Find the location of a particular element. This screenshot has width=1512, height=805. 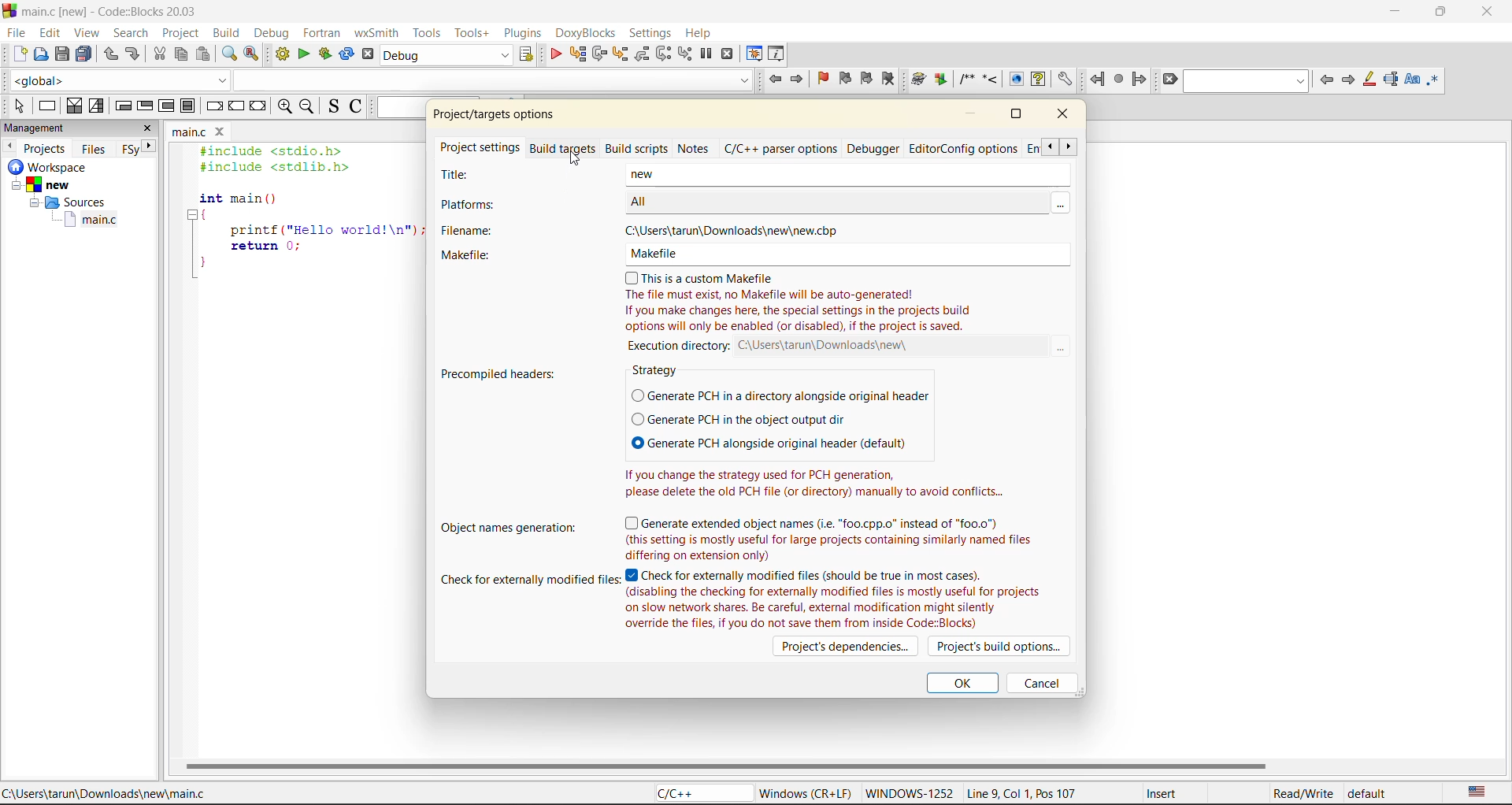

C:\Users\tarun\Downloads\new\main.c is located at coordinates (110, 793).